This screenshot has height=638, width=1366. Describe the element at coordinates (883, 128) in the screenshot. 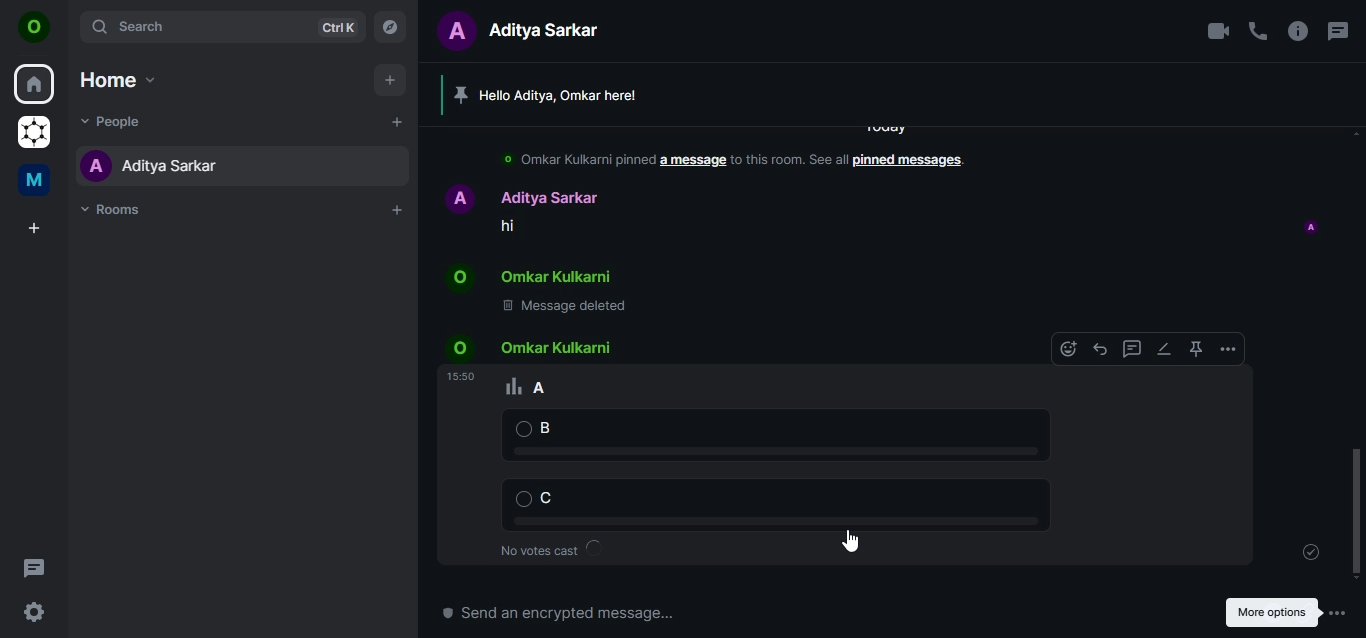

I see `Today` at that location.